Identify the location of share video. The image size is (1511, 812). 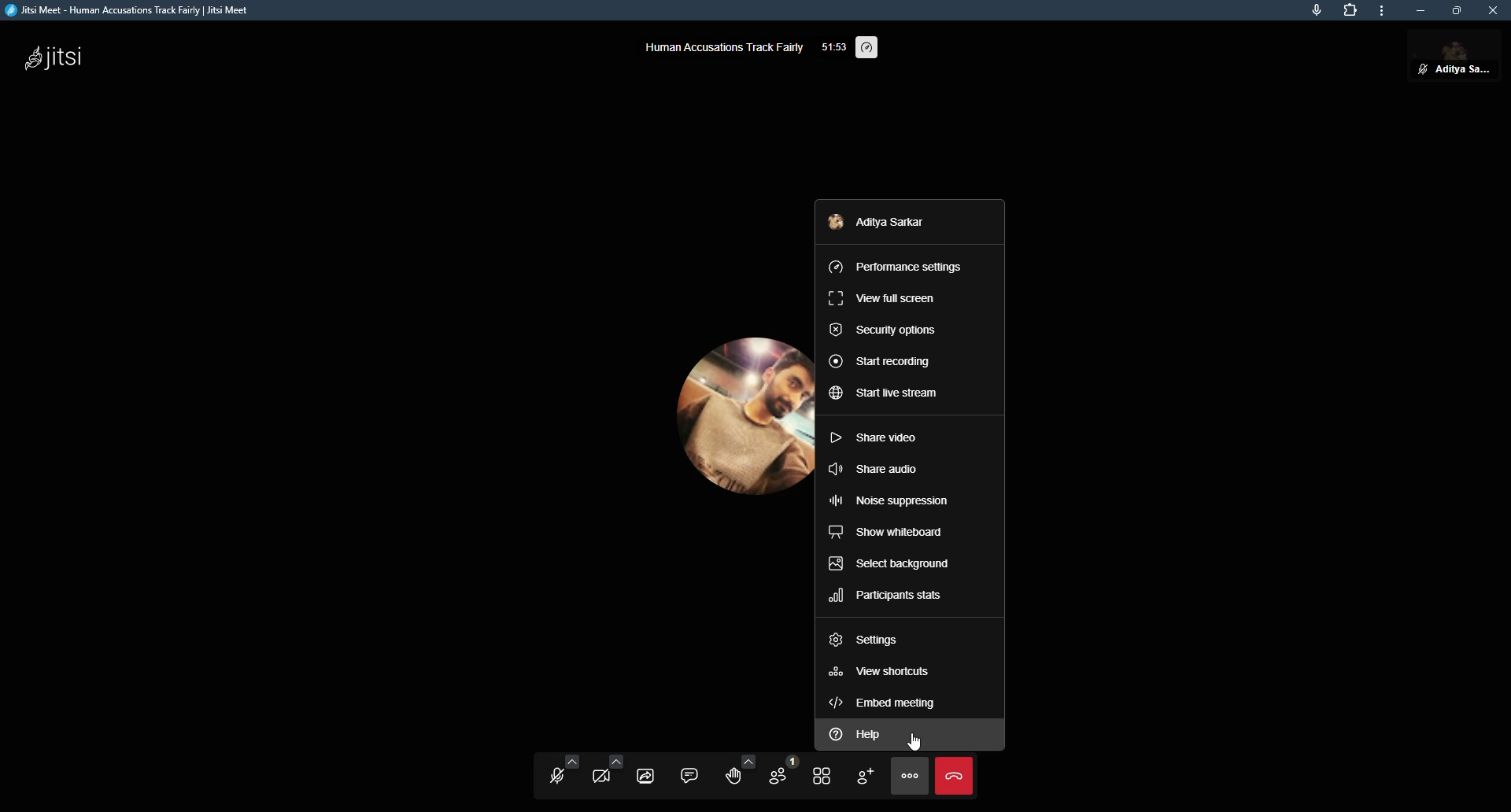
(875, 437).